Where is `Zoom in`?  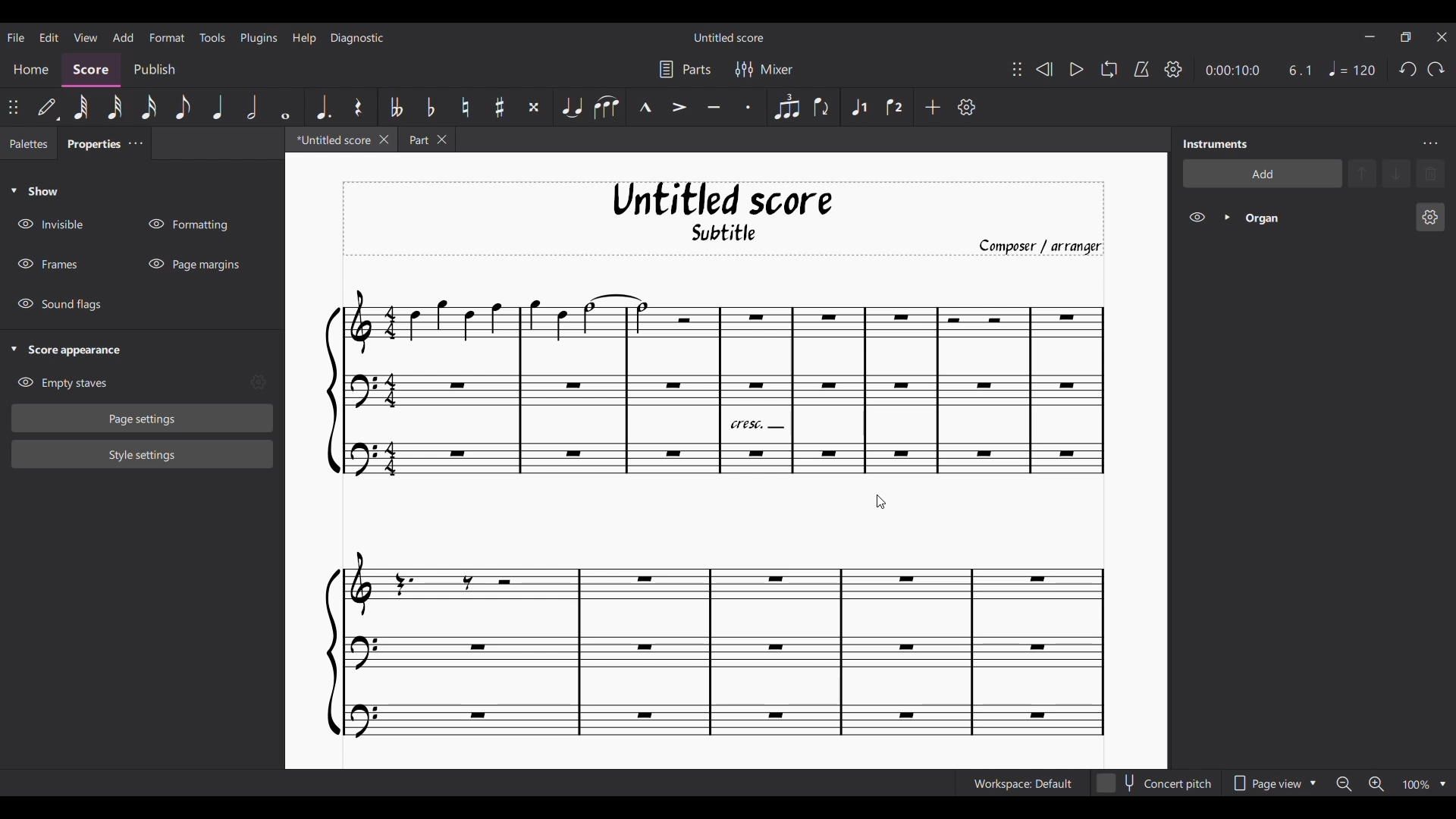 Zoom in is located at coordinates (1376, 784).